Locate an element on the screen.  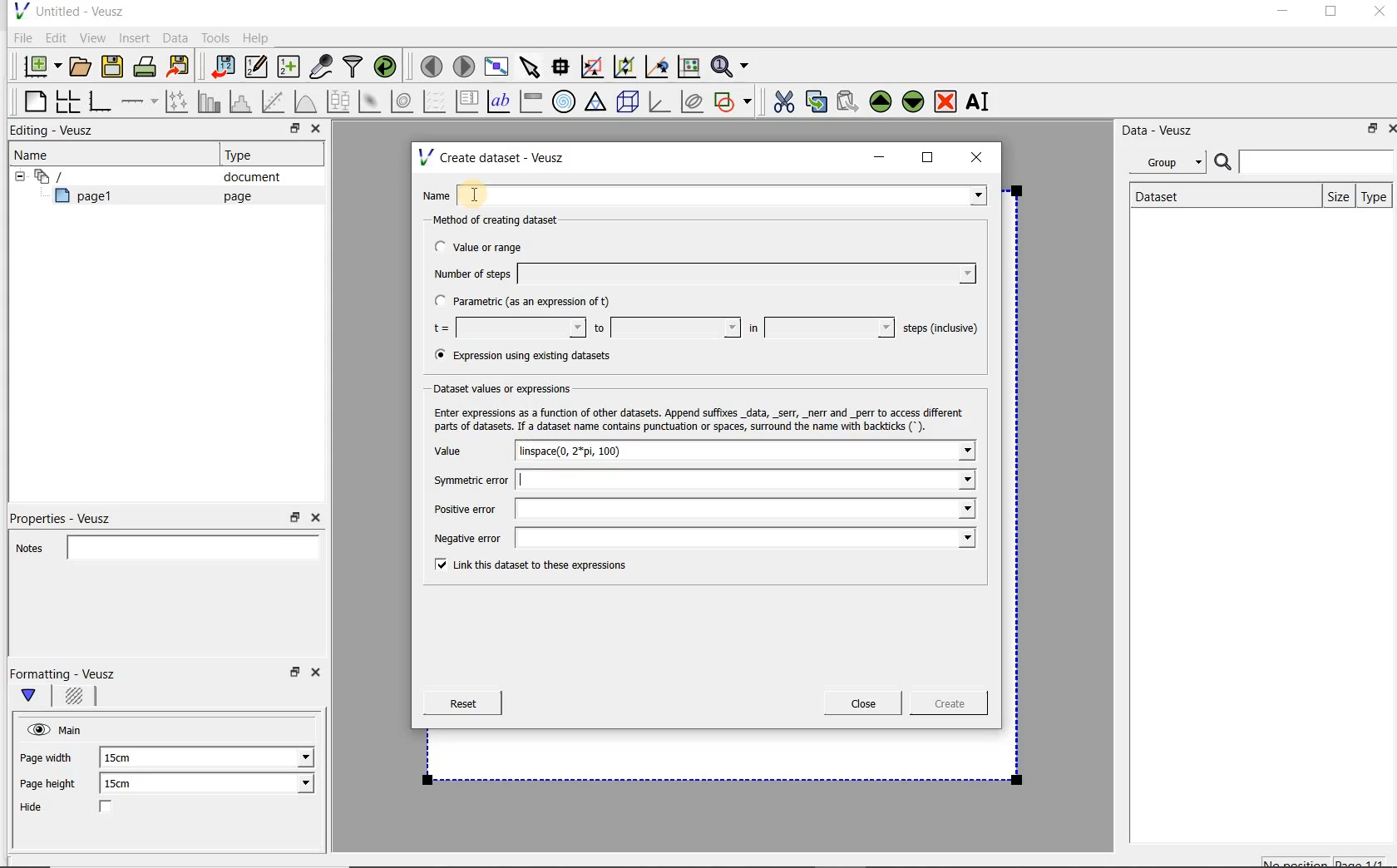
rename the selected widget is located at coordinates (981, 101).